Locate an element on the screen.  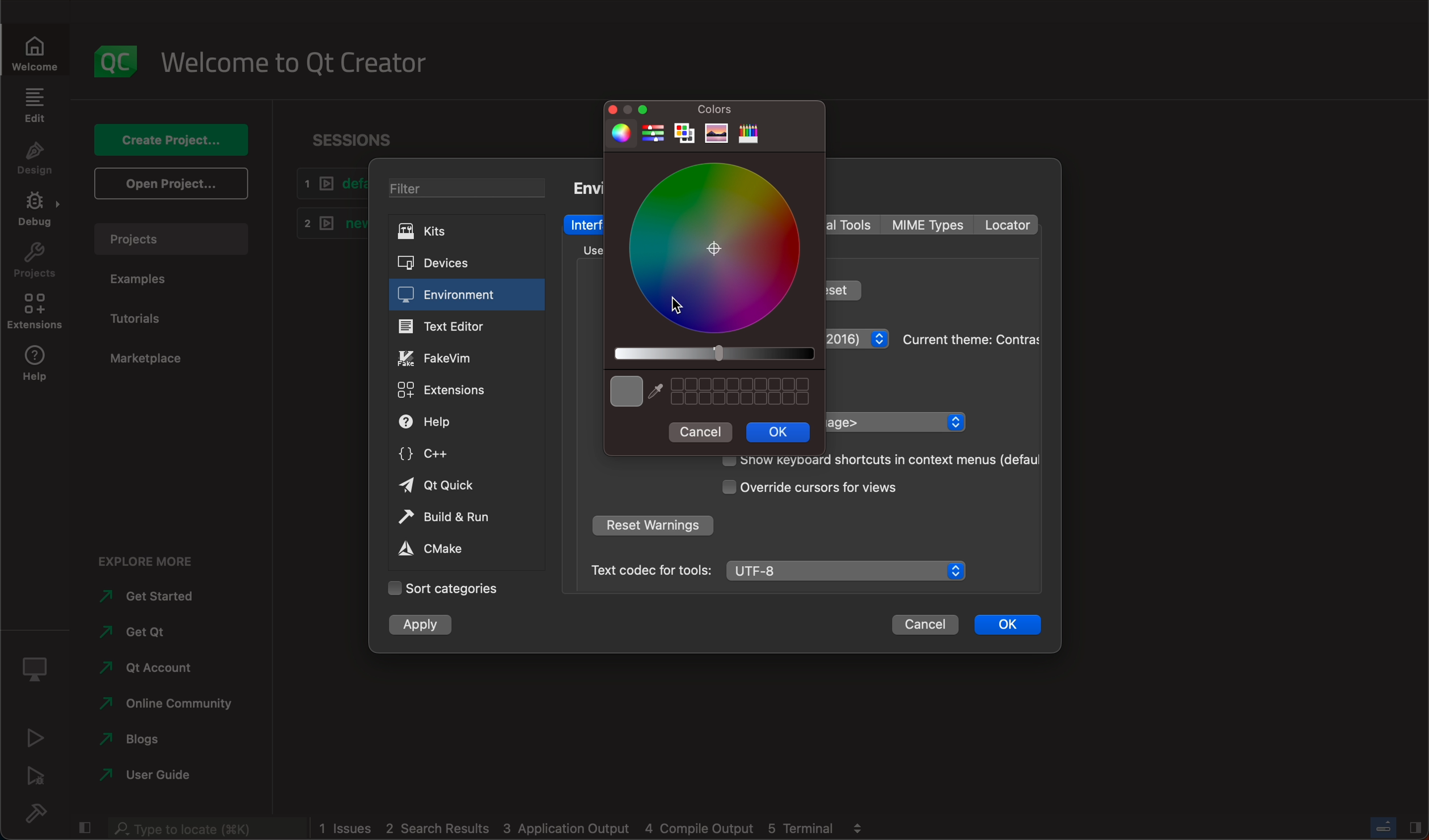
show keyboard is located at coordinates (874, 460).